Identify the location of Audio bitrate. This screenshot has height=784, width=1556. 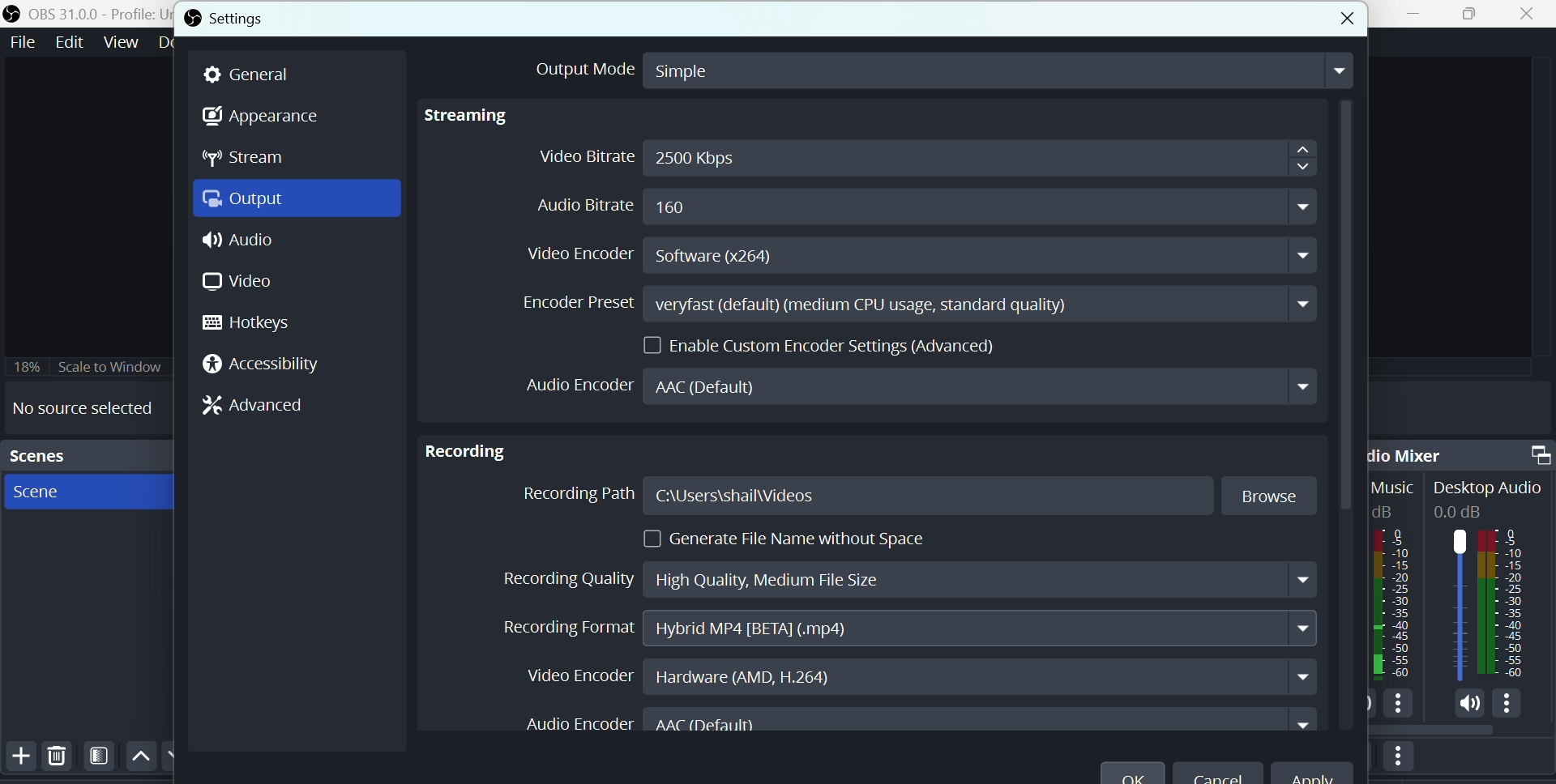
(930, 201).